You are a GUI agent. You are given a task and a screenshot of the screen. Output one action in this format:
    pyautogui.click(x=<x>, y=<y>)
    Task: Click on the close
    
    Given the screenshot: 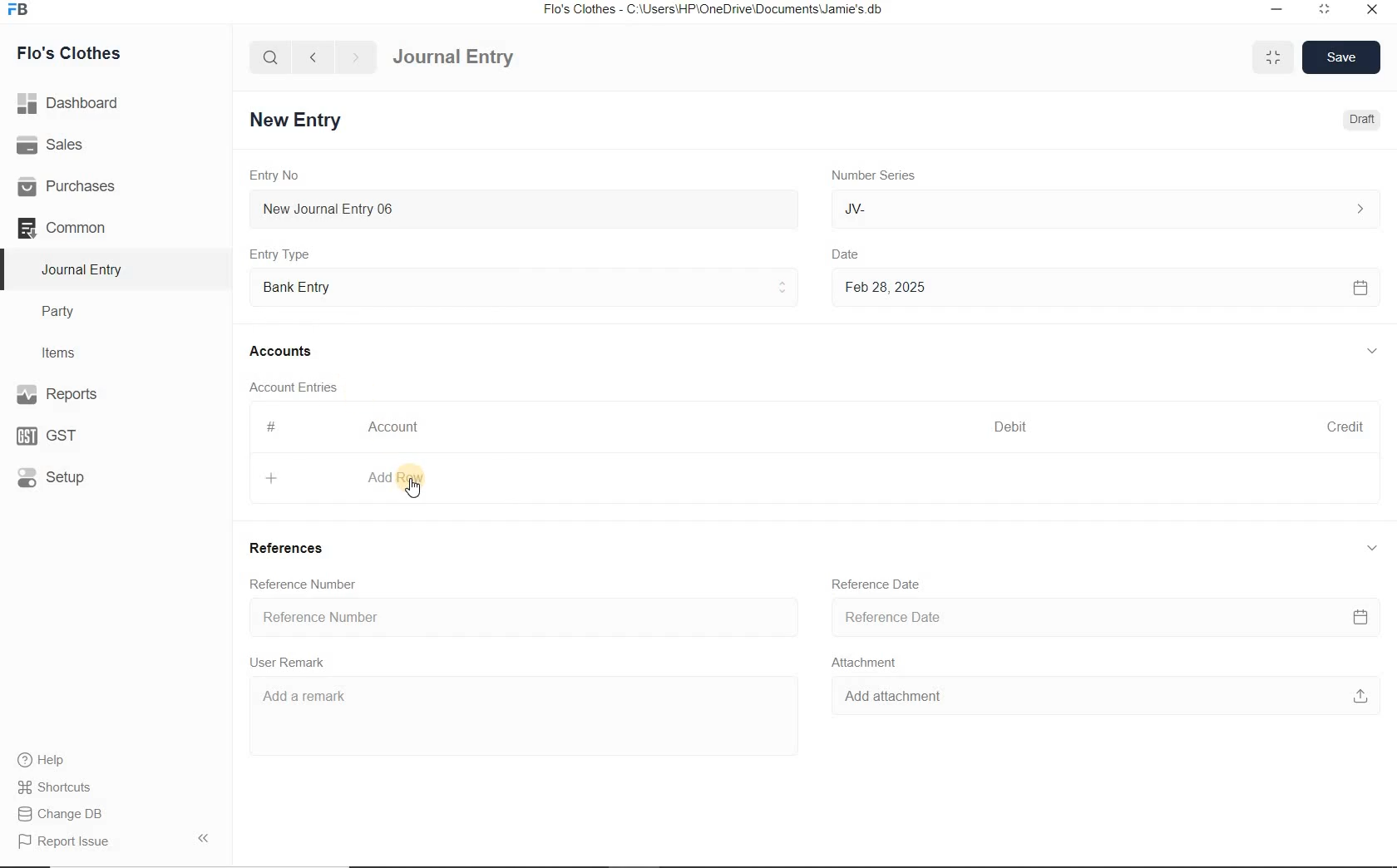 What is the action you would take?
    pyautogui.click(x=1371, y=8)
    